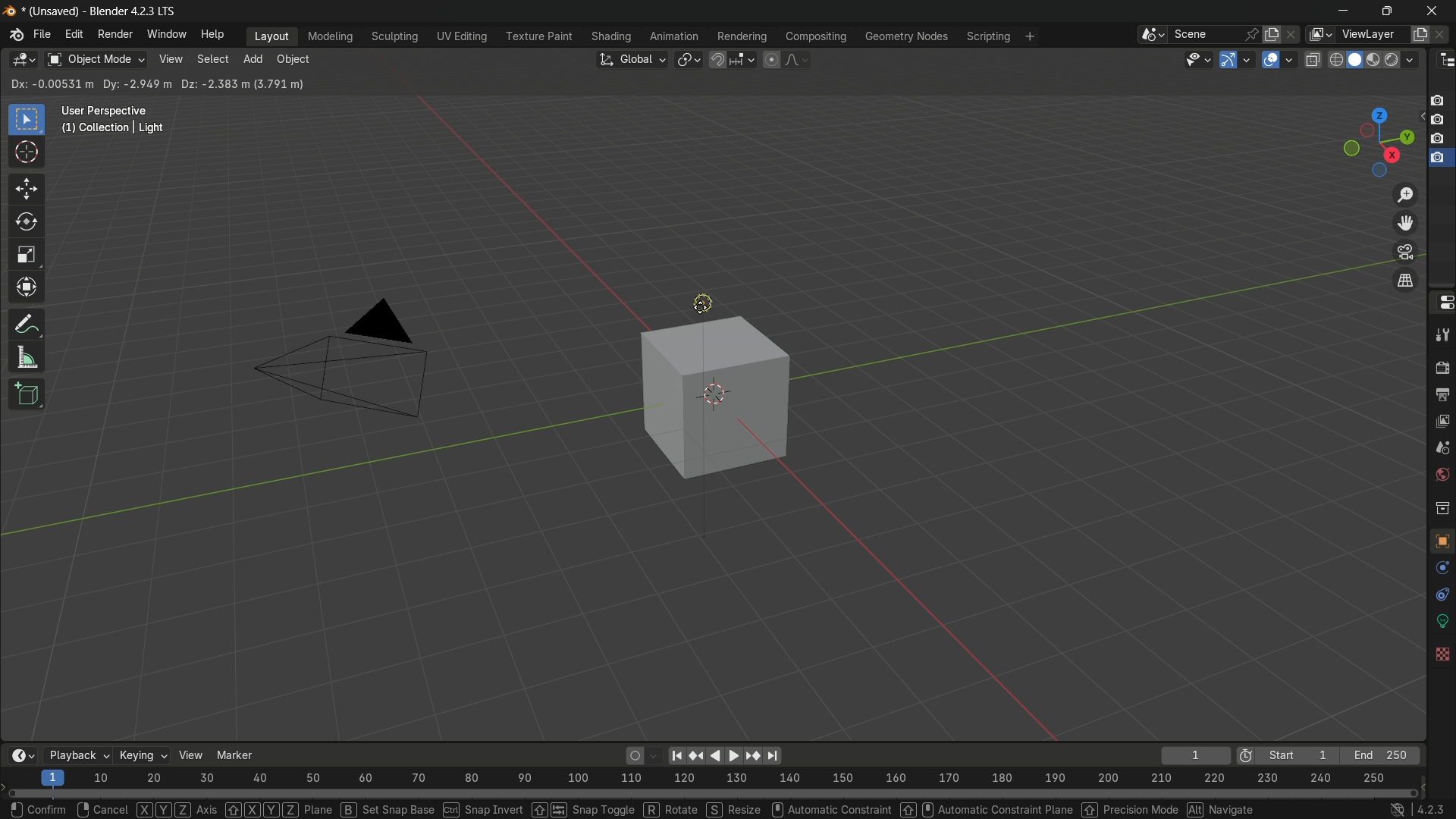 This screenshot has width=1456, height=819. I want to click on transformation orientation, so click(633, 59).